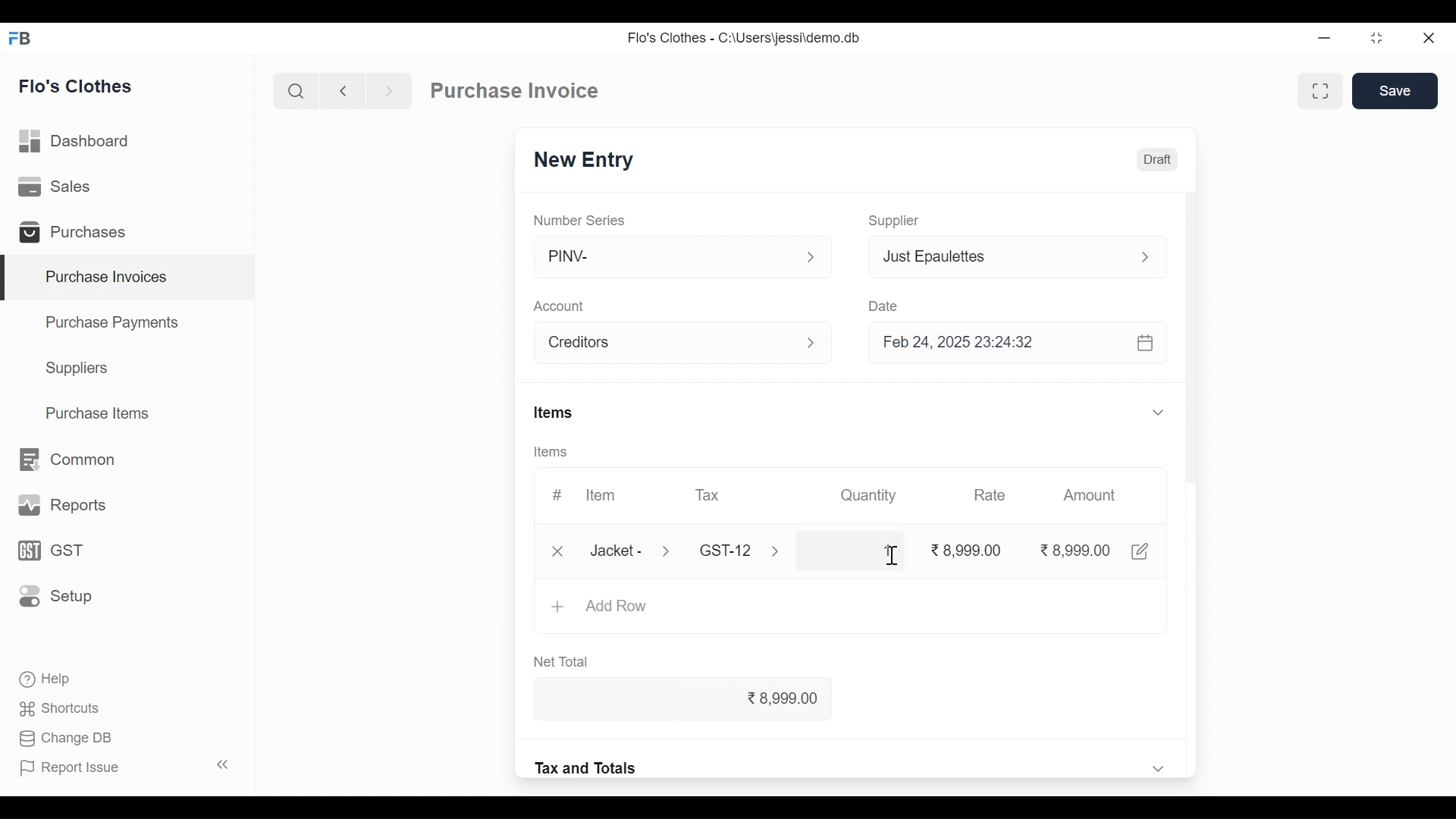 Image resolution: width=1456 pixels, height=819 pixels. What do you see at coordinates (1160, 412) in the screenshot?
I see `Expand` at bounding box center [1160, 412].